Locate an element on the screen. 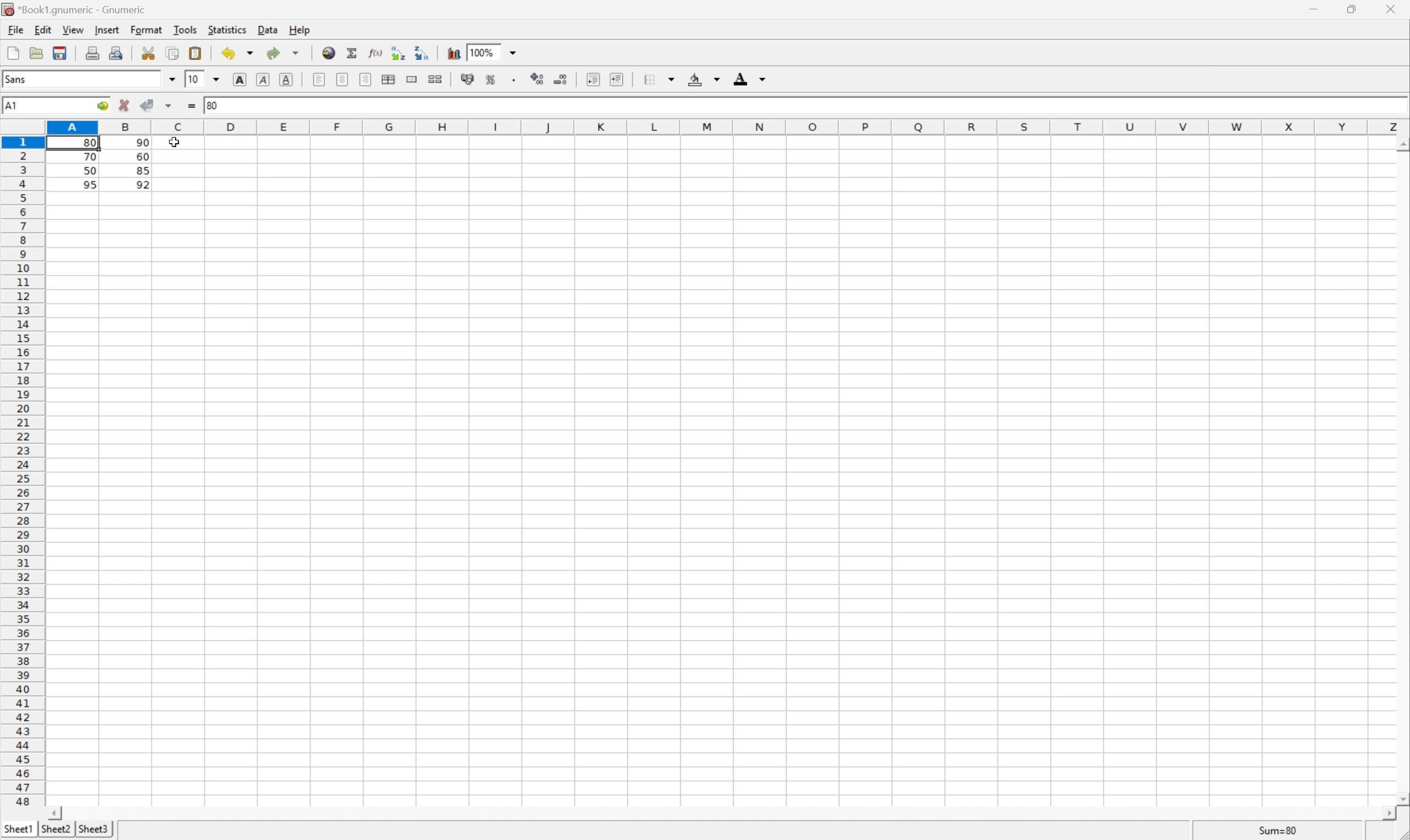  Decrease the number of decimals displayed is located at coordinates (563, 79).